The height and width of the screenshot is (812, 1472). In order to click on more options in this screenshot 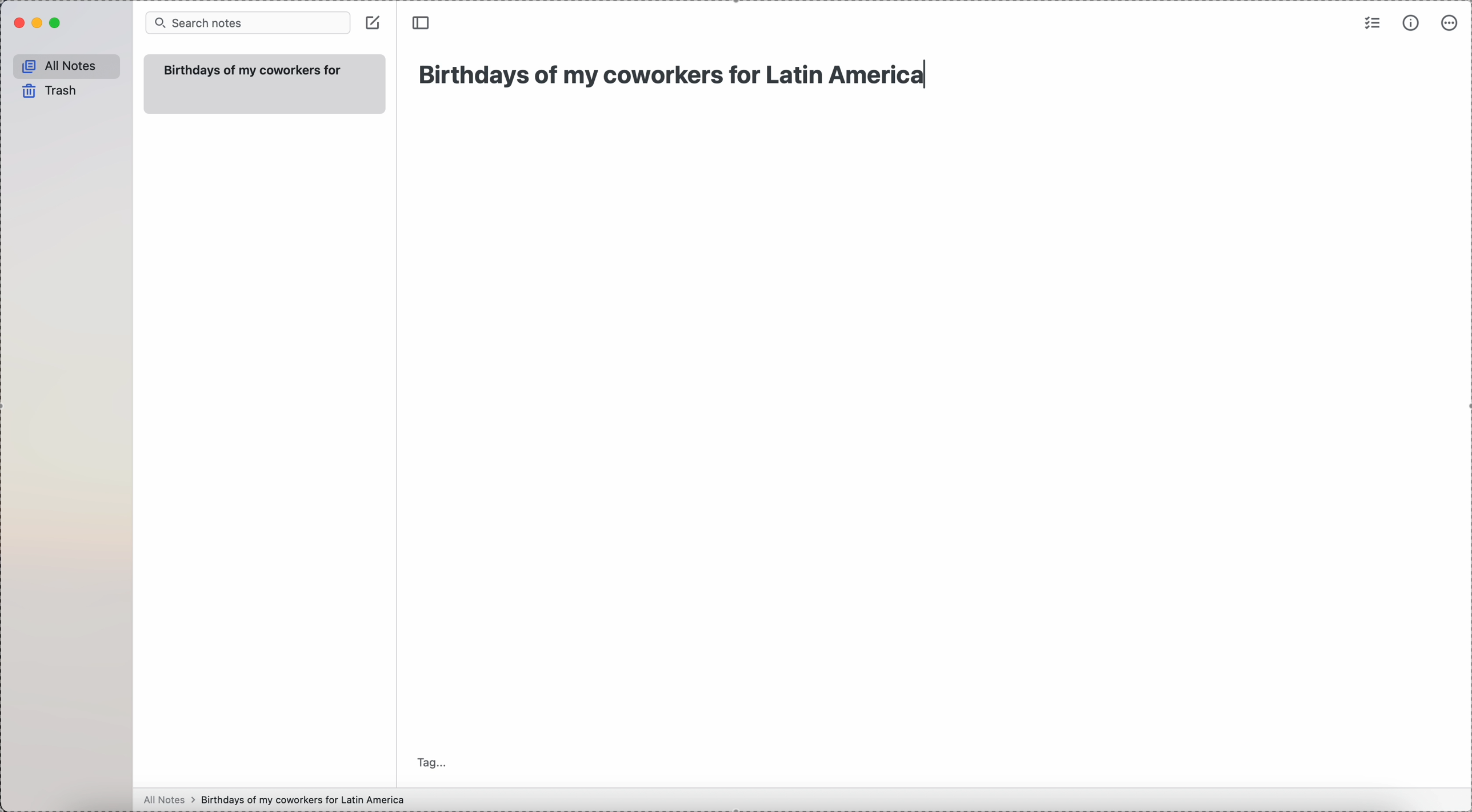, I will do `click(1451, 22)`.